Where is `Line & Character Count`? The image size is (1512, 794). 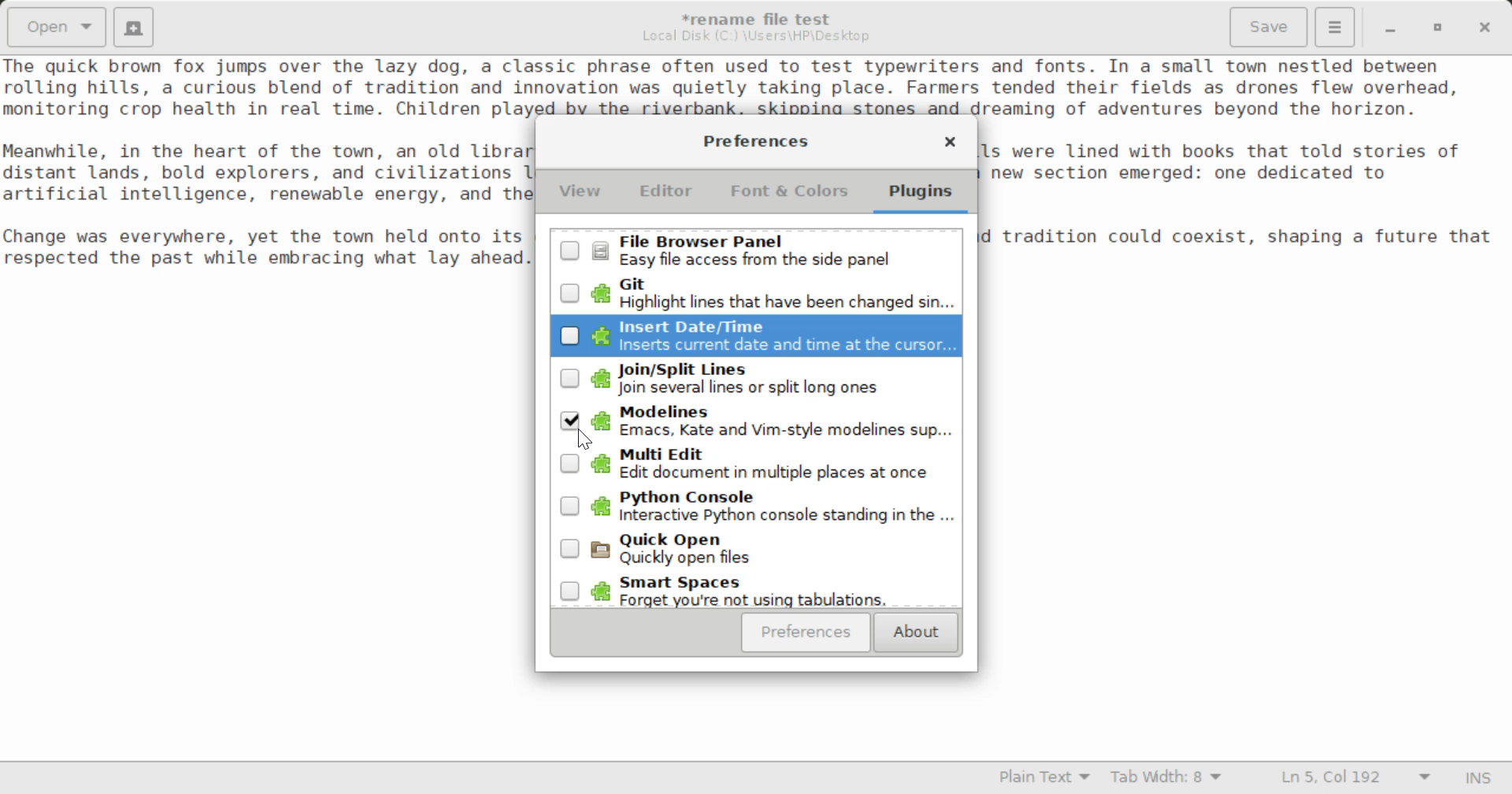 Line & Character Count is located at coordinates (1356, 779).